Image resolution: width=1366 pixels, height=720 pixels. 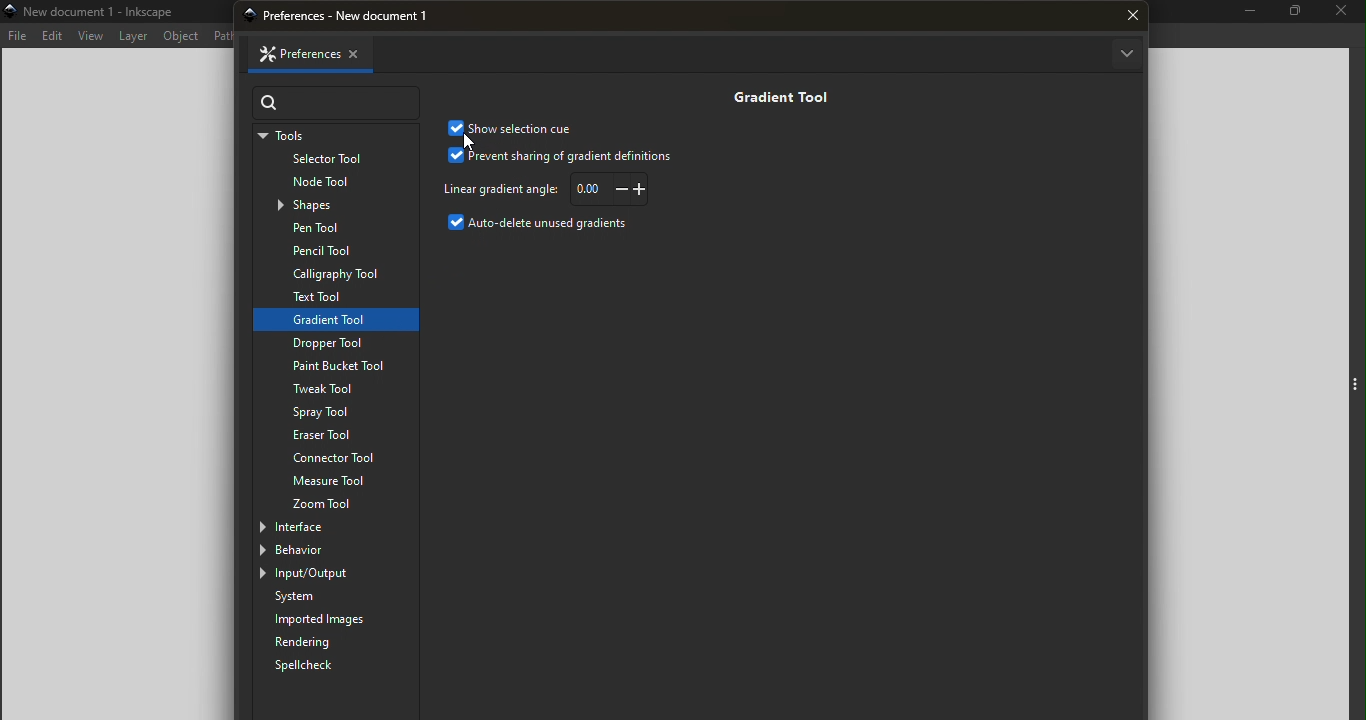 What do you see at coordinates (341, 206) in the screenshot?
I see `Shapes` at bounding box center [341, 206].